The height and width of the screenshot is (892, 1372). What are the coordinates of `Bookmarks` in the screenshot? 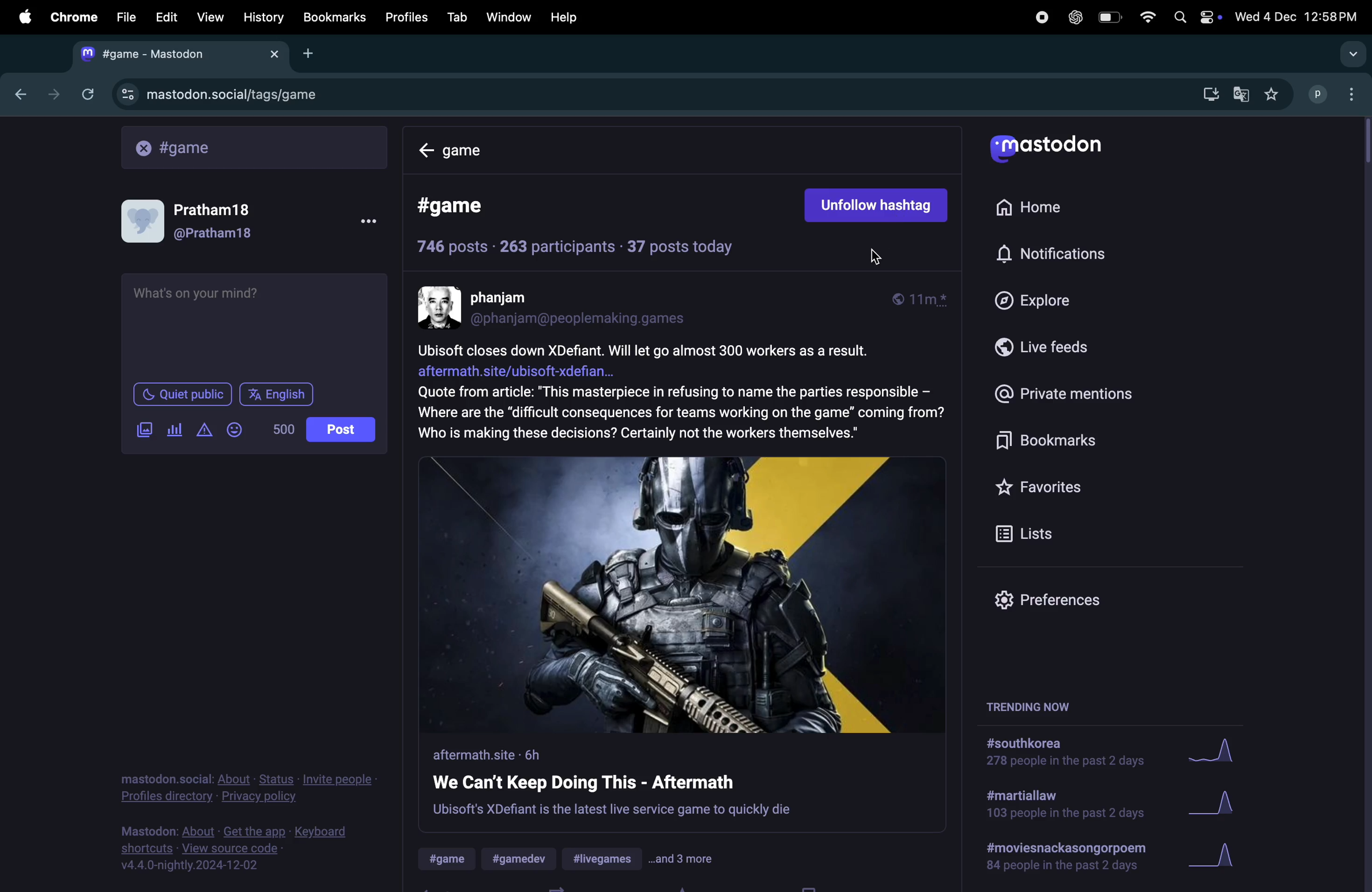 It's located at (1083, 442).